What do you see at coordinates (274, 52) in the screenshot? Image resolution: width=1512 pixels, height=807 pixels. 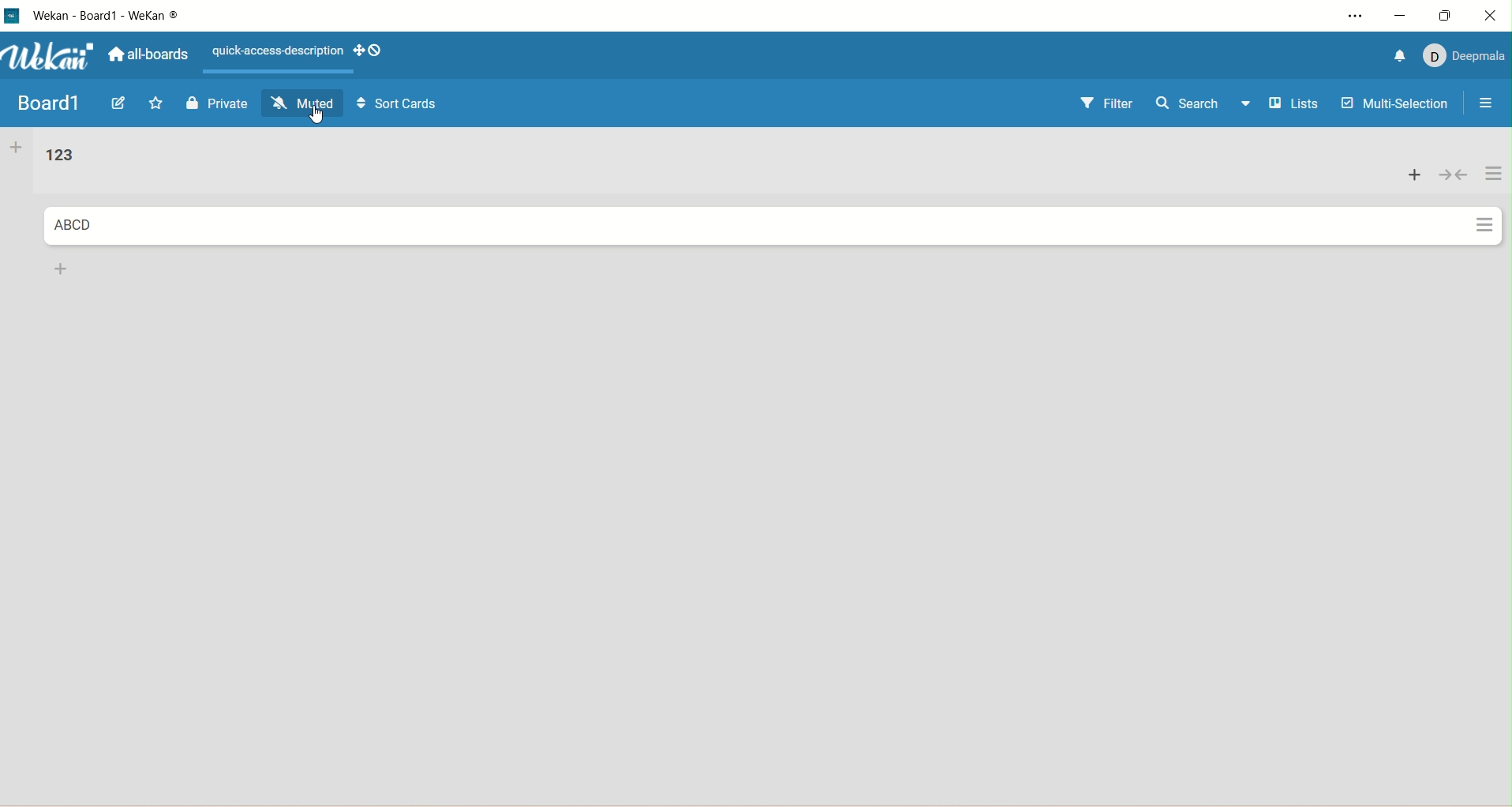 I see `text` at bounding box center [274, 52].